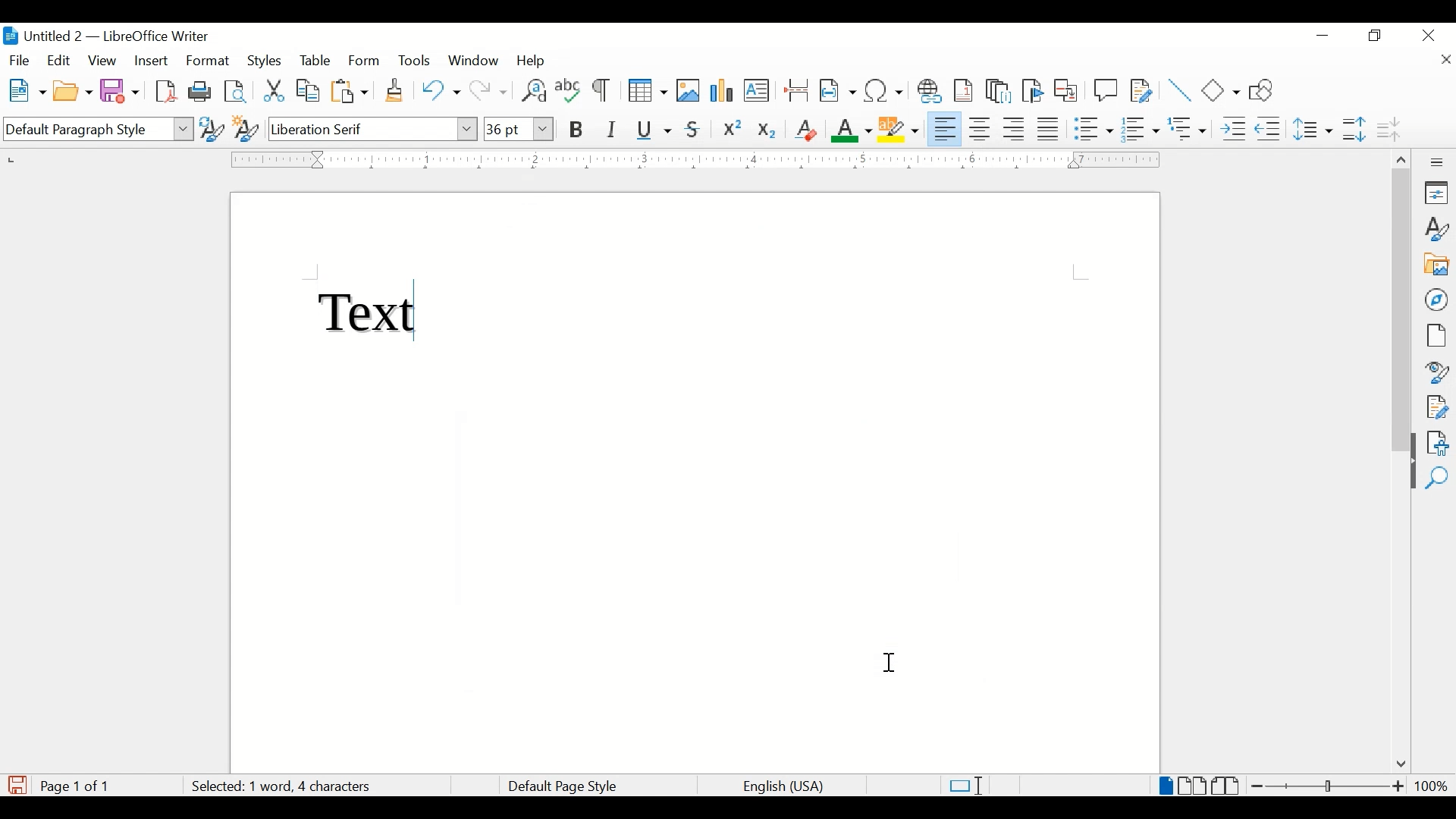 The height and width of the screenshot is (819, 1456). Describe the element at coordinates (1438, 300) in the screenshot. I see `navigator` at that location.